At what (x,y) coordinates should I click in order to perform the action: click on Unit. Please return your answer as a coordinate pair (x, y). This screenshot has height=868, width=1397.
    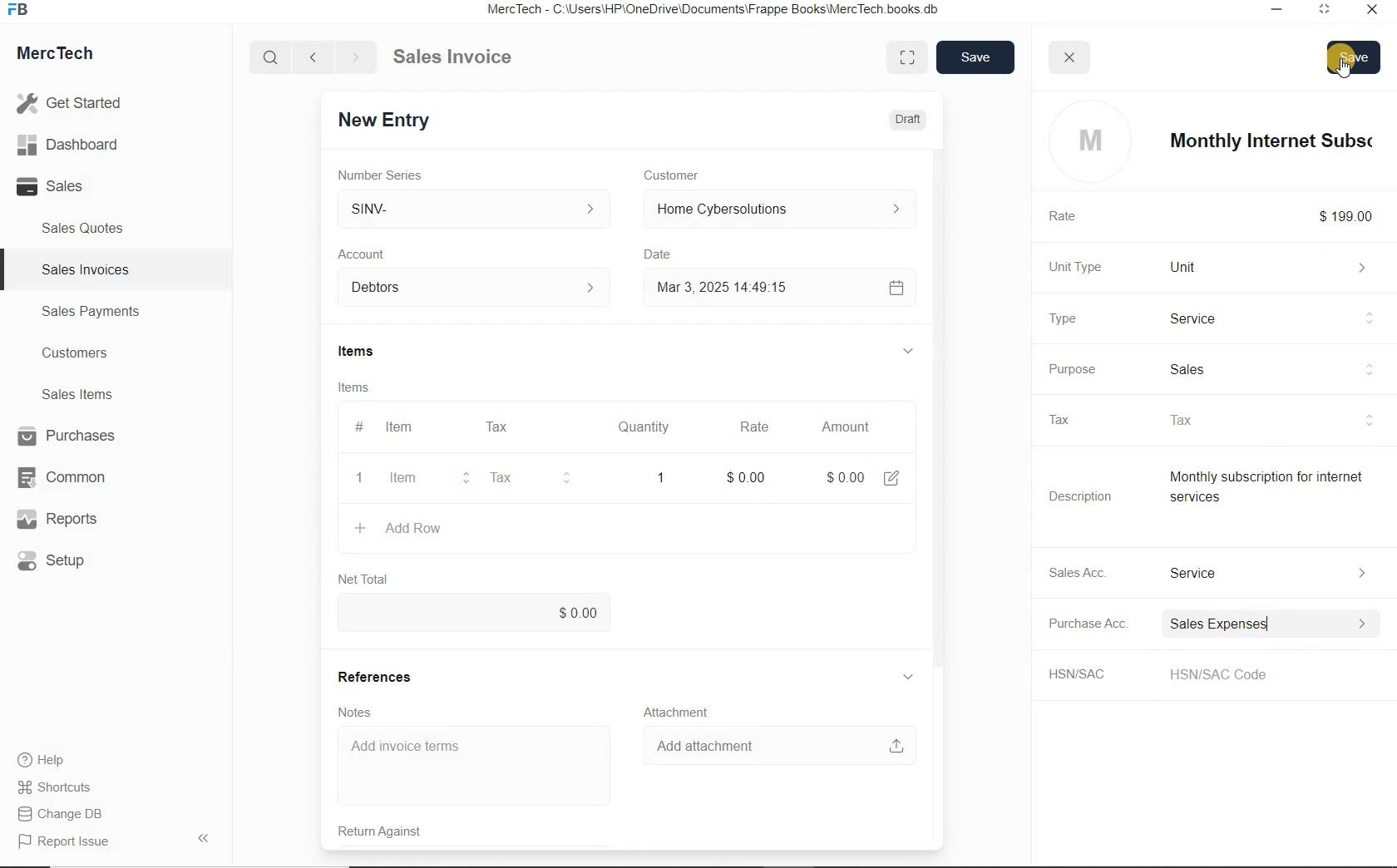
    Looking at the image, I should click on (1260, 267).